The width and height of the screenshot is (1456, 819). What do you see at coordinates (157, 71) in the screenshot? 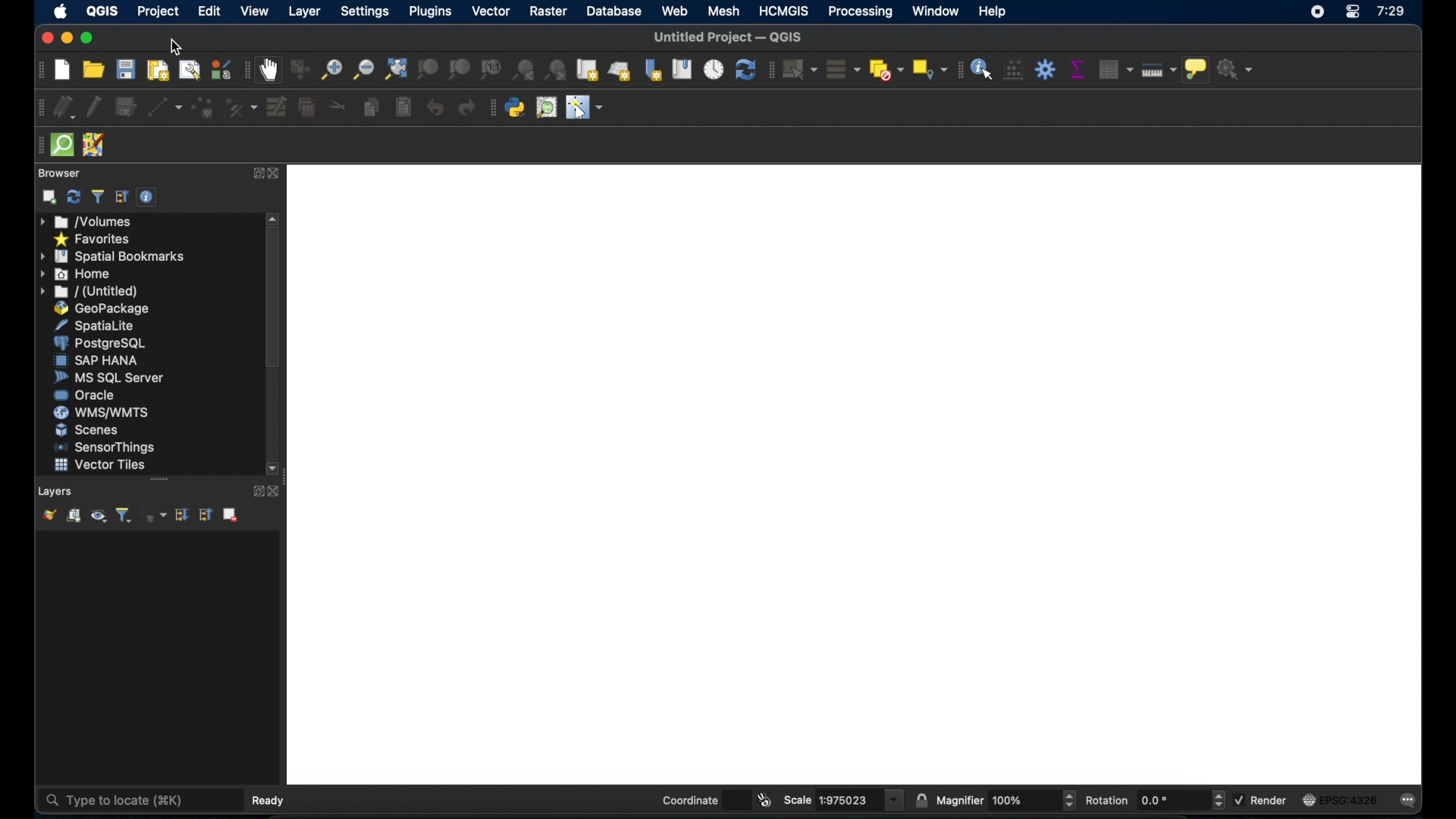
I see `new print layout` at bounding box center [157, 71].